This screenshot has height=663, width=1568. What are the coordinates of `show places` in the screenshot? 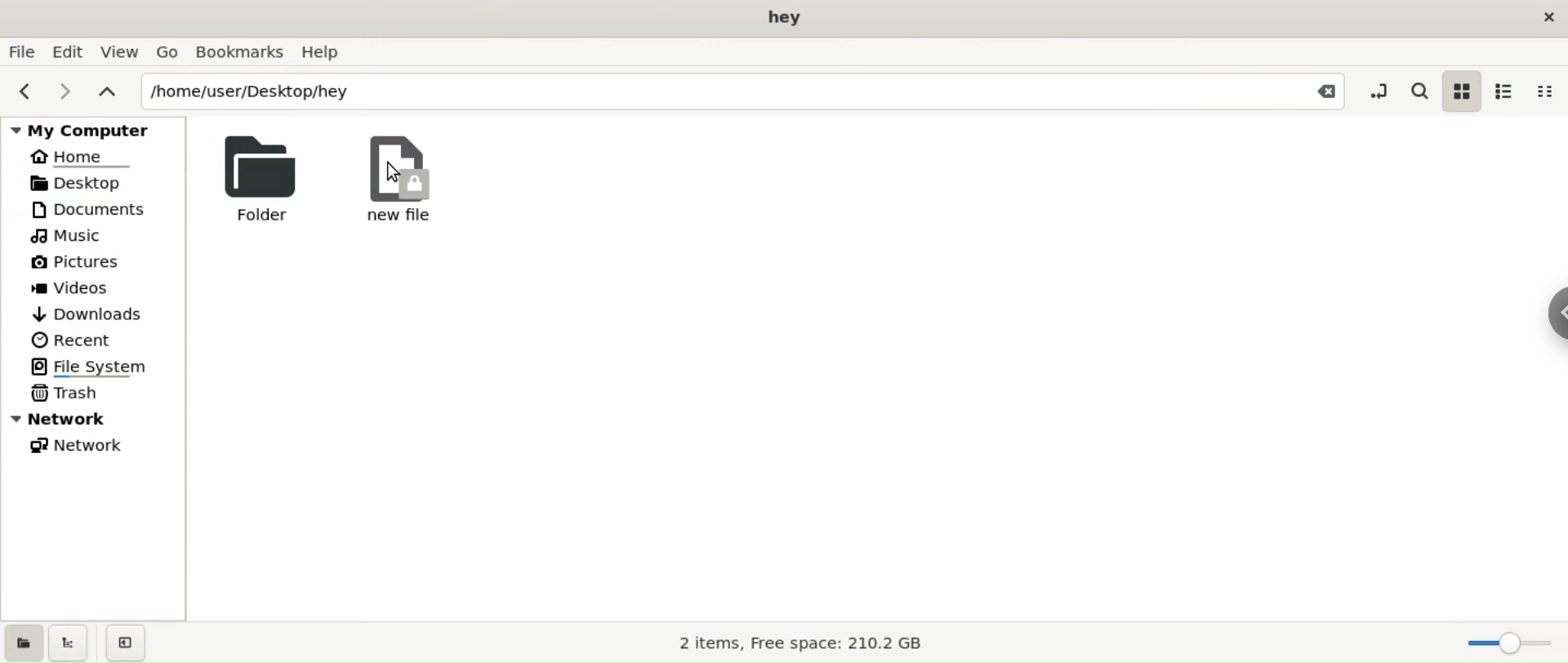 It's located at (23, 646).